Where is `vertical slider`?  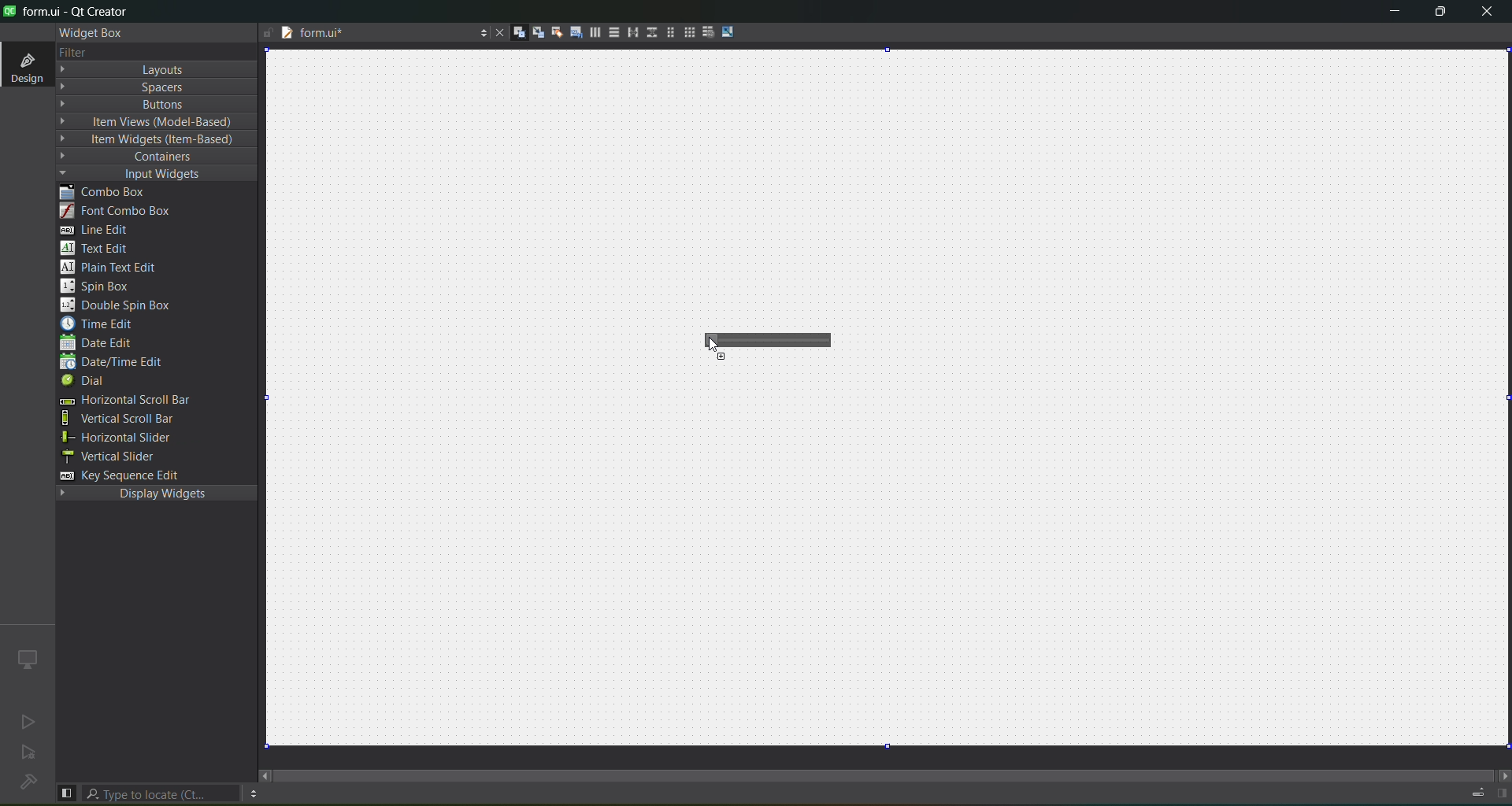 vertical slider is located at coordinates (112, 457).